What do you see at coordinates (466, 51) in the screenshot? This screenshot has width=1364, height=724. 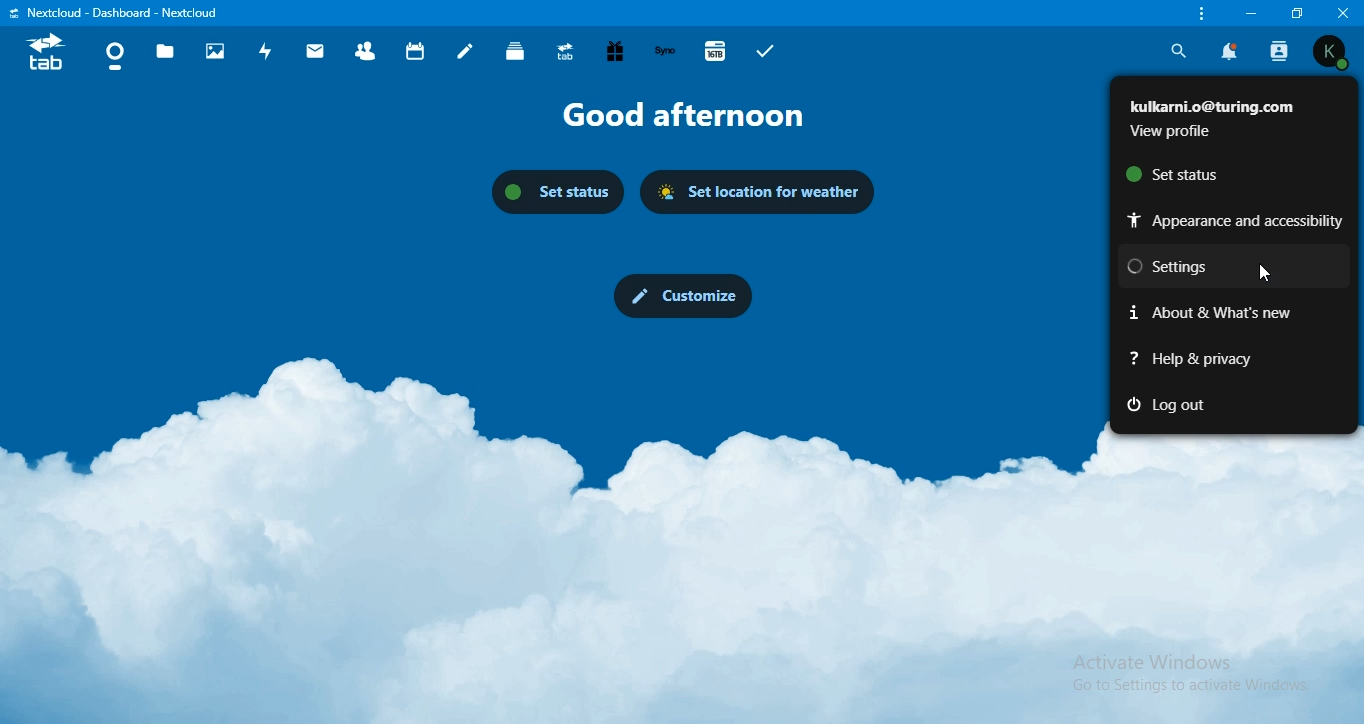 I see `notes` at bounding box center [466, 51].